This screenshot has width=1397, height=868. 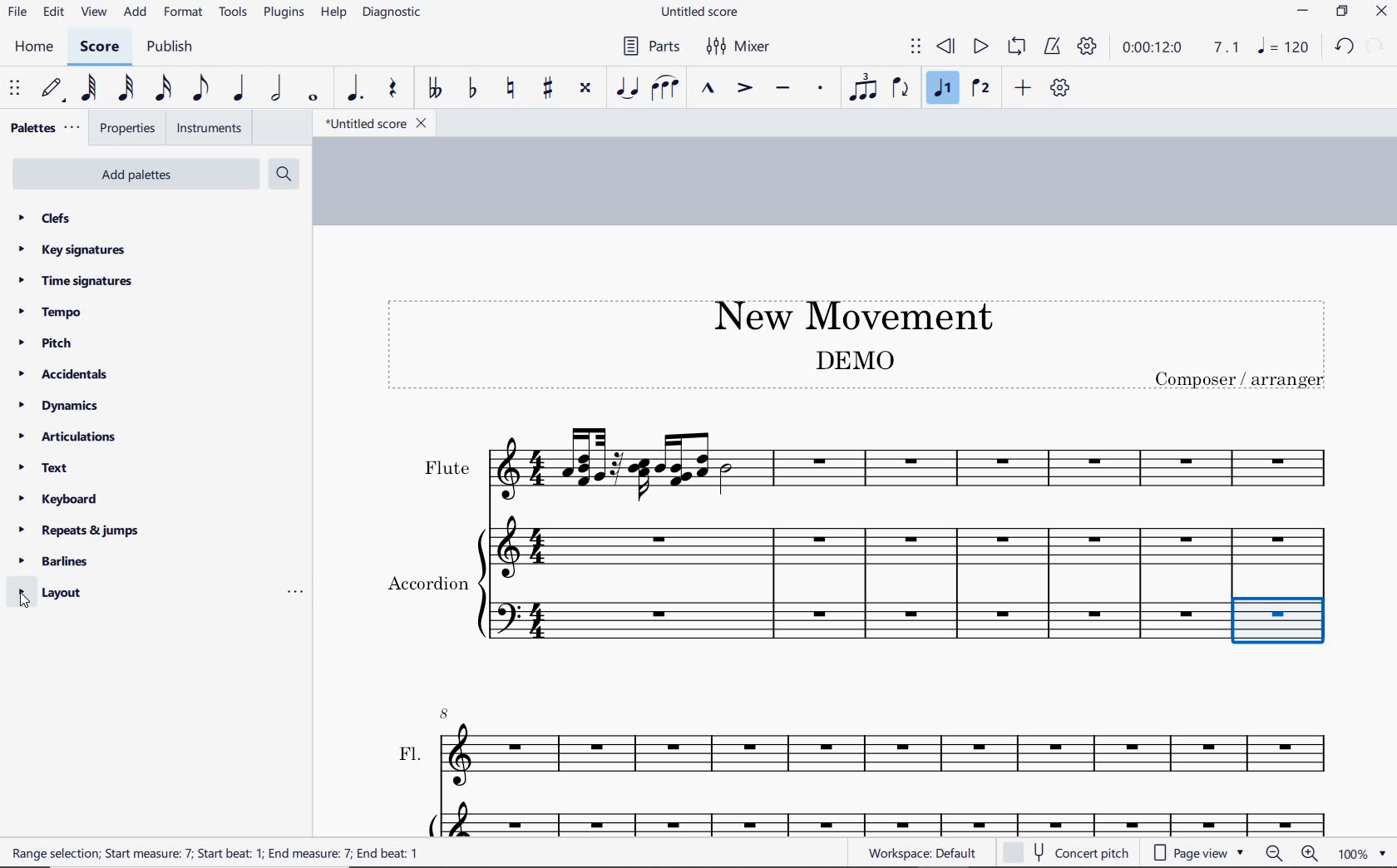 I want to click on plugins, so click(x=284, y=13).